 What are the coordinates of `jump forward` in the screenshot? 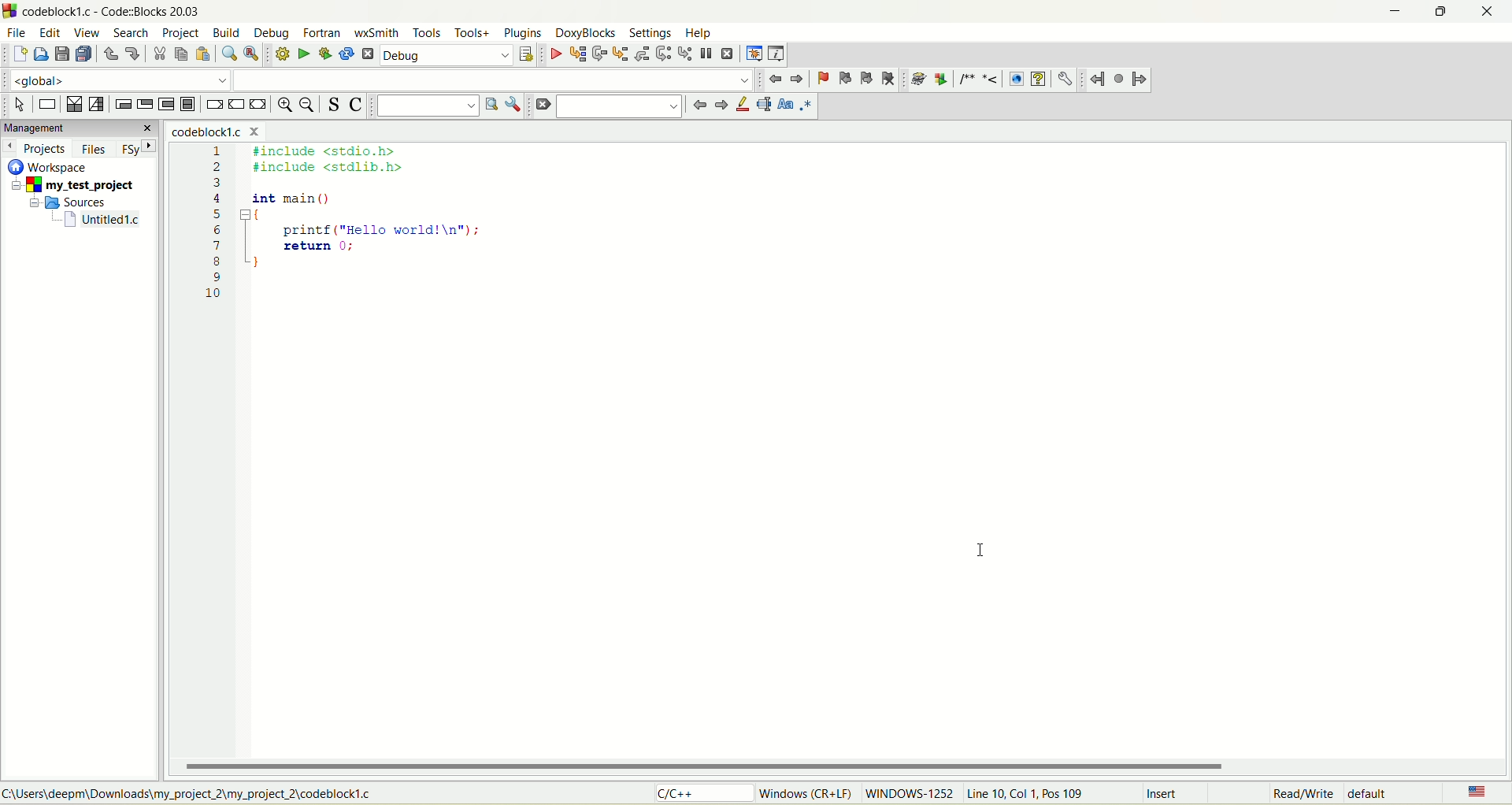 It's located at (719, 106).